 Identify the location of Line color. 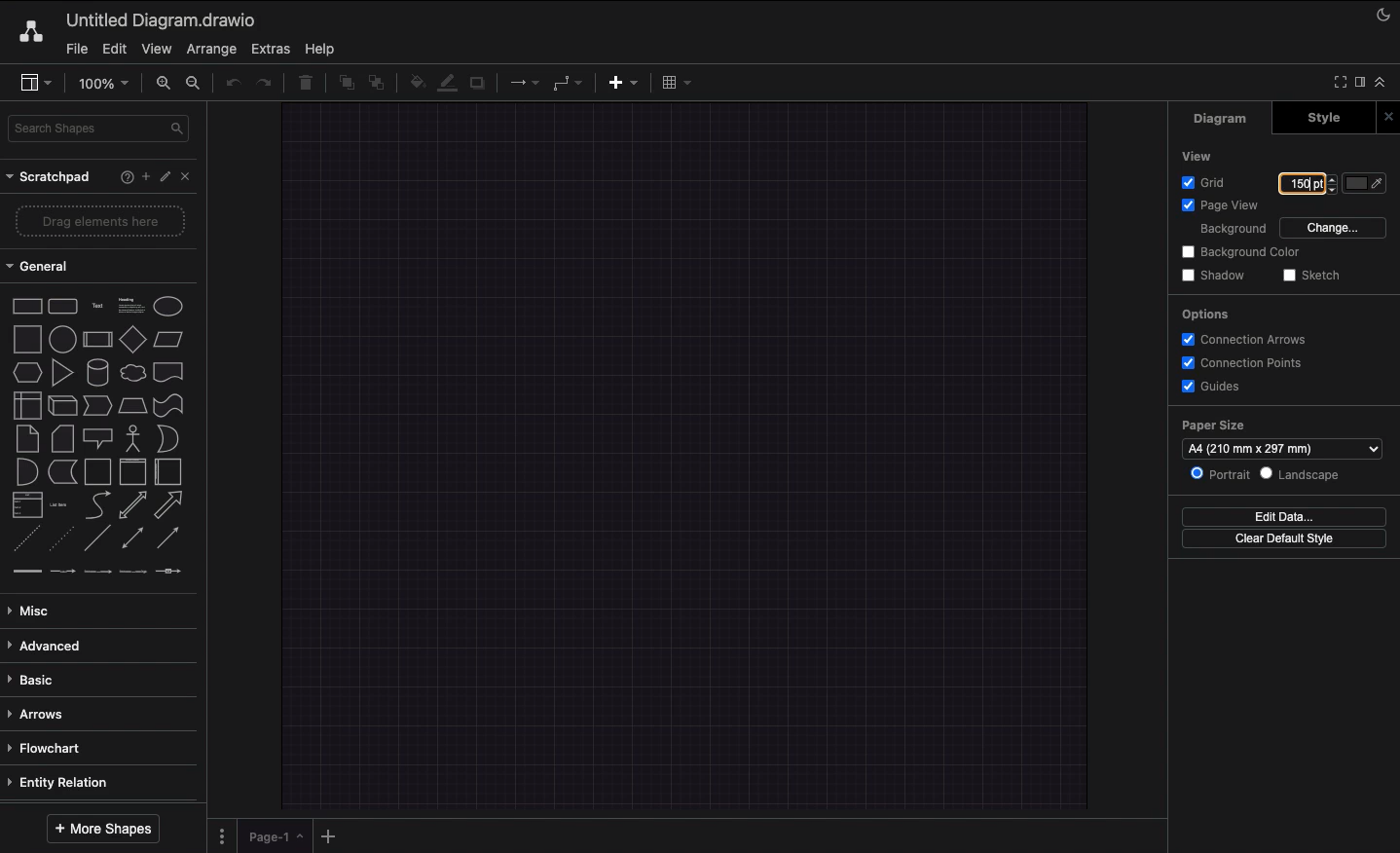
(447, 82).